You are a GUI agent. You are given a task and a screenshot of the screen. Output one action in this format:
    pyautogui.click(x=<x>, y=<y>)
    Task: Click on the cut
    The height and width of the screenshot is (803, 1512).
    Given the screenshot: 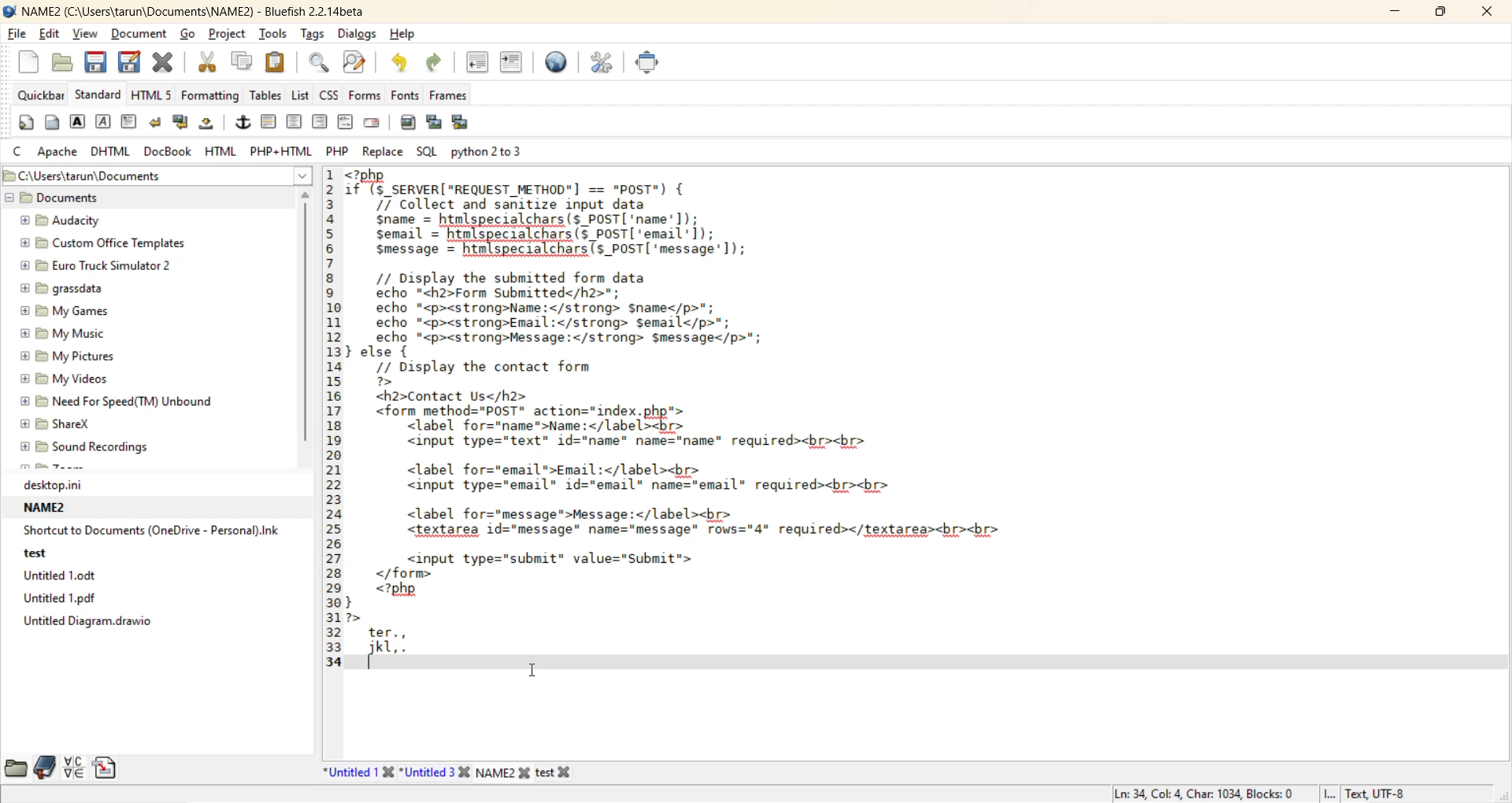 What is the action you would take?
    pyautogui.click(x=210, y=63)
    